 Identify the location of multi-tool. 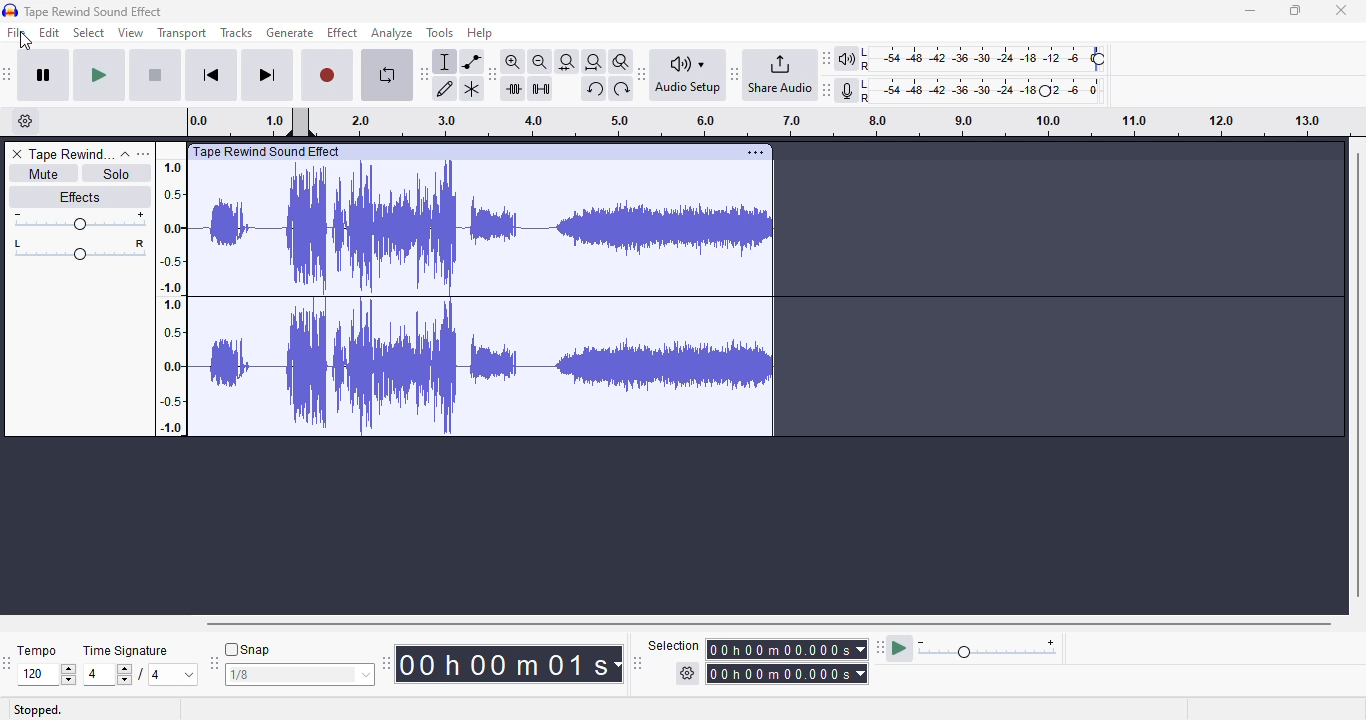
(471, 89).